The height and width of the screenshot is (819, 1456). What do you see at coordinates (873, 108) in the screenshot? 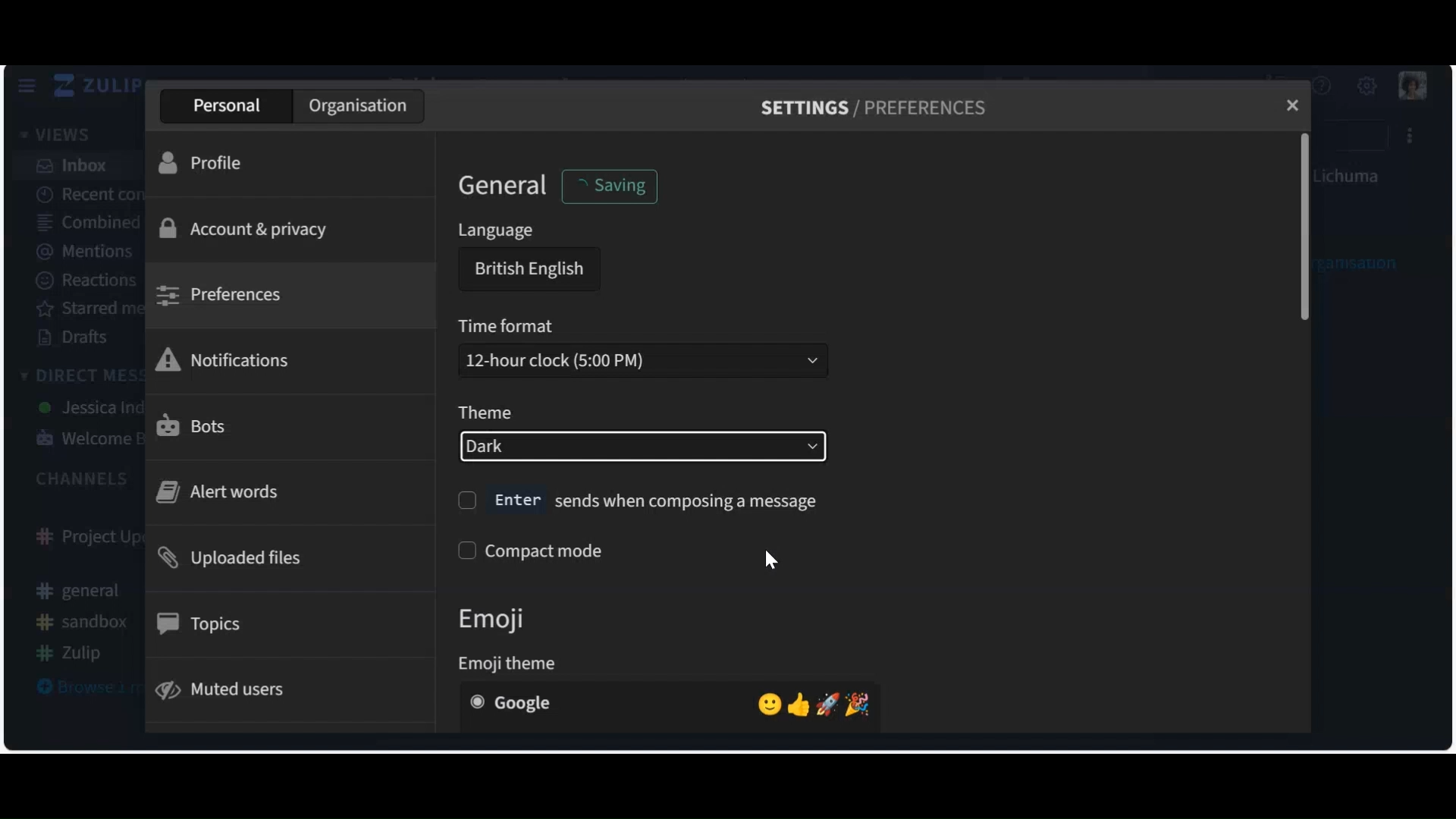
I see `Settings/Preferences` at bounding box center [873, 108].